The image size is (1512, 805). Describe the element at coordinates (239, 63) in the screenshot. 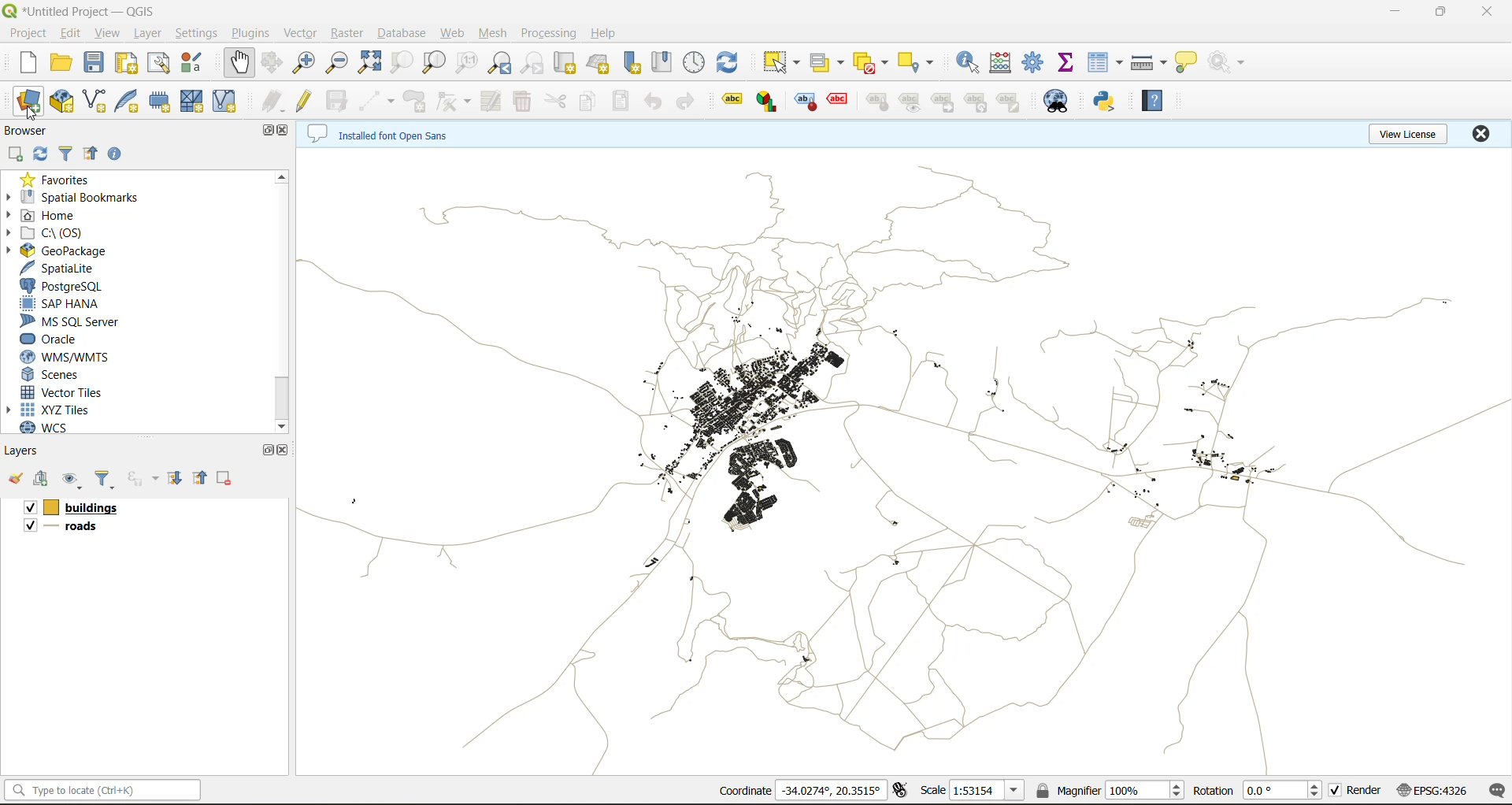

I see `pan map` at that location.